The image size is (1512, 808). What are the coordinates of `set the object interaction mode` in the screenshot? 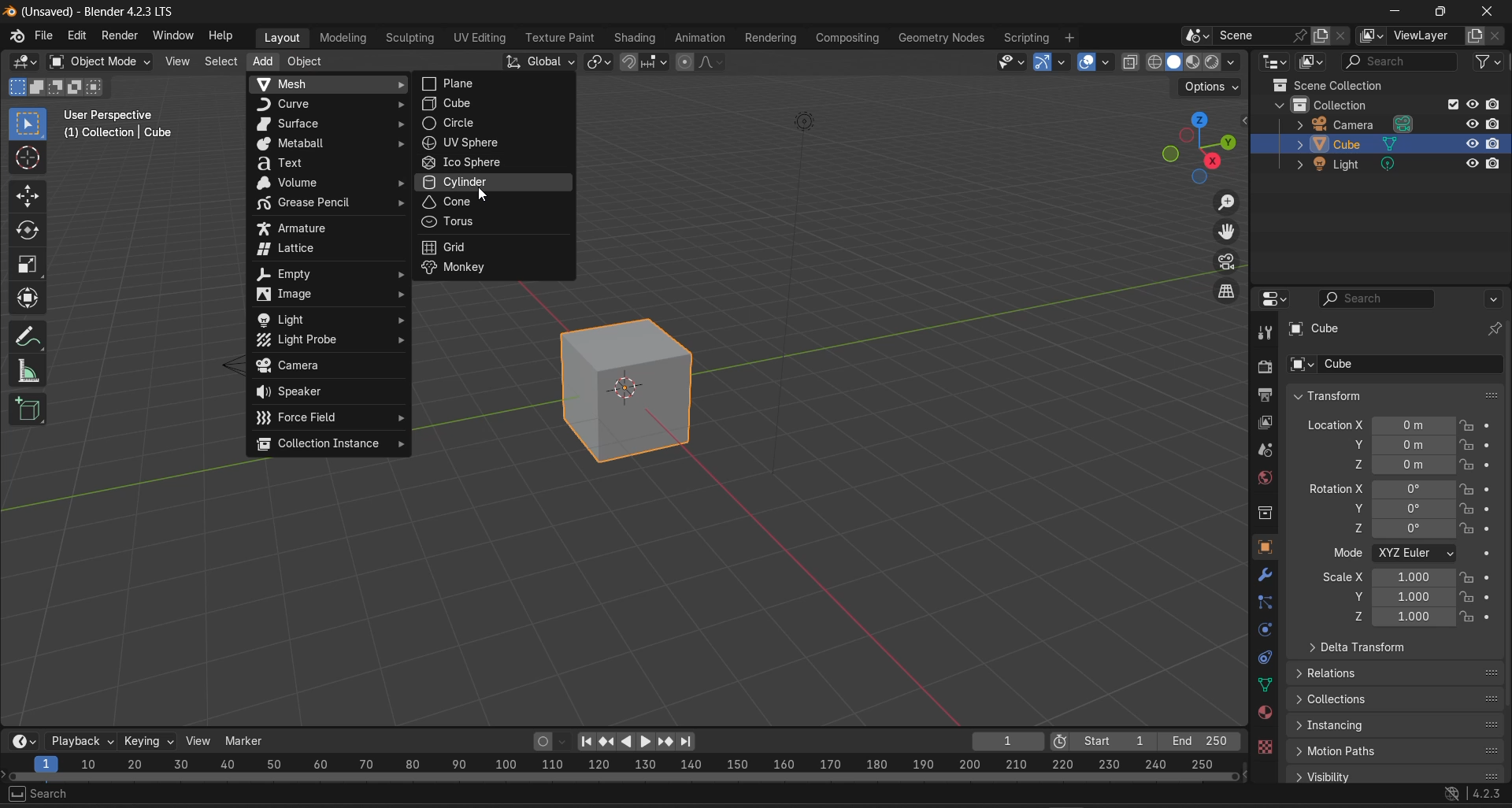 It's located at (100, 61).